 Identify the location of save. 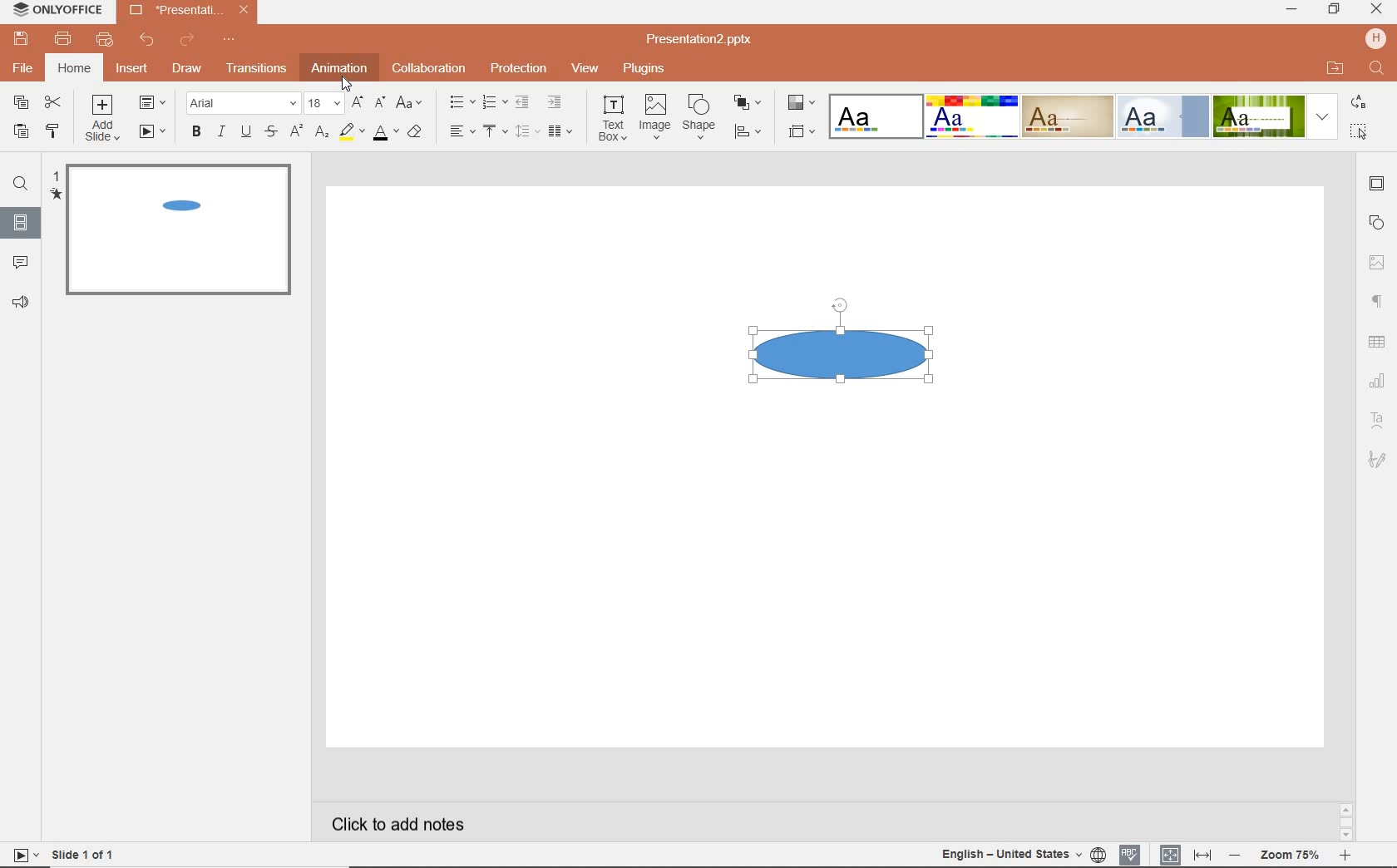
(21, 41).